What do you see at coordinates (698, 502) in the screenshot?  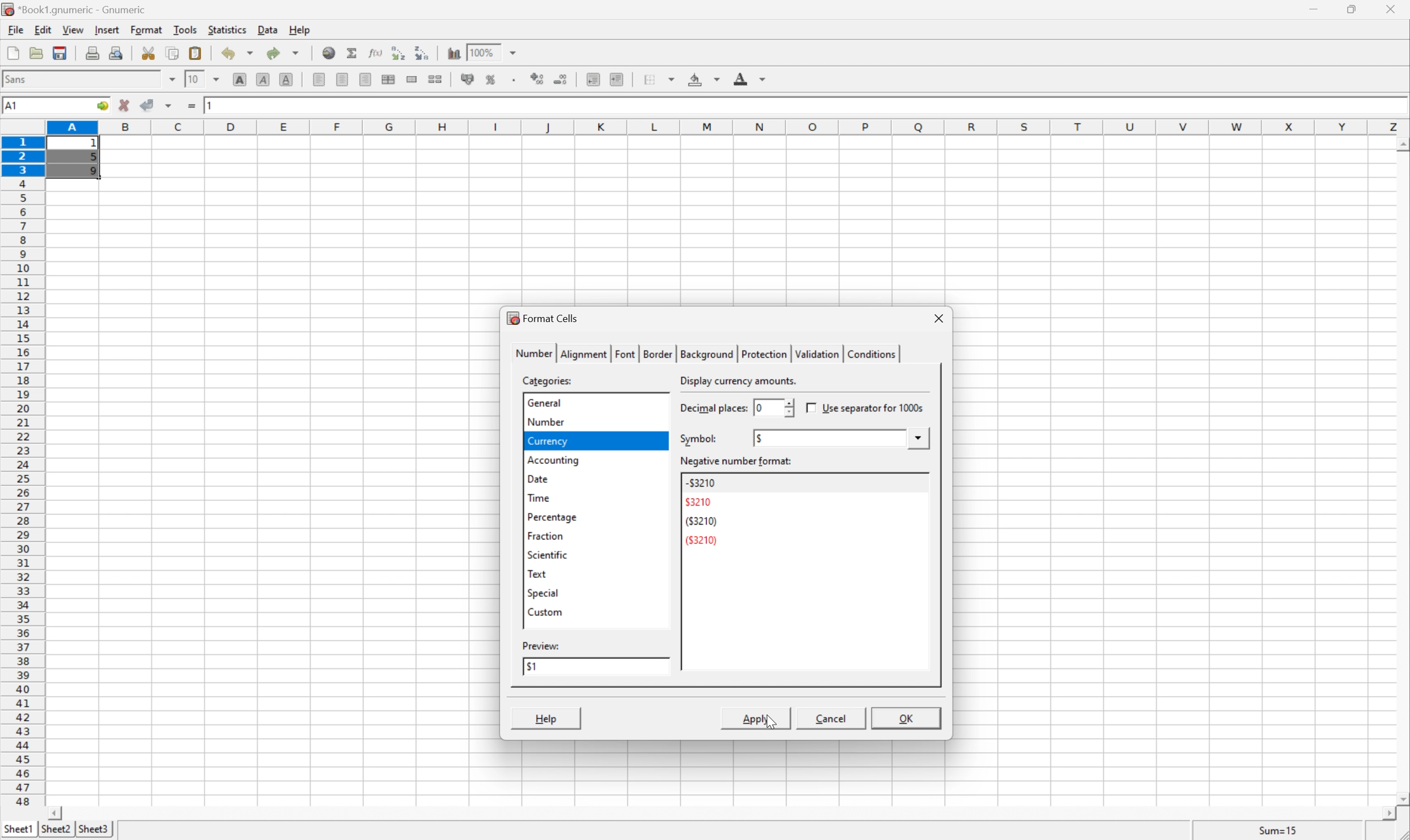 I see `3210` at bounding box center [698, 502].